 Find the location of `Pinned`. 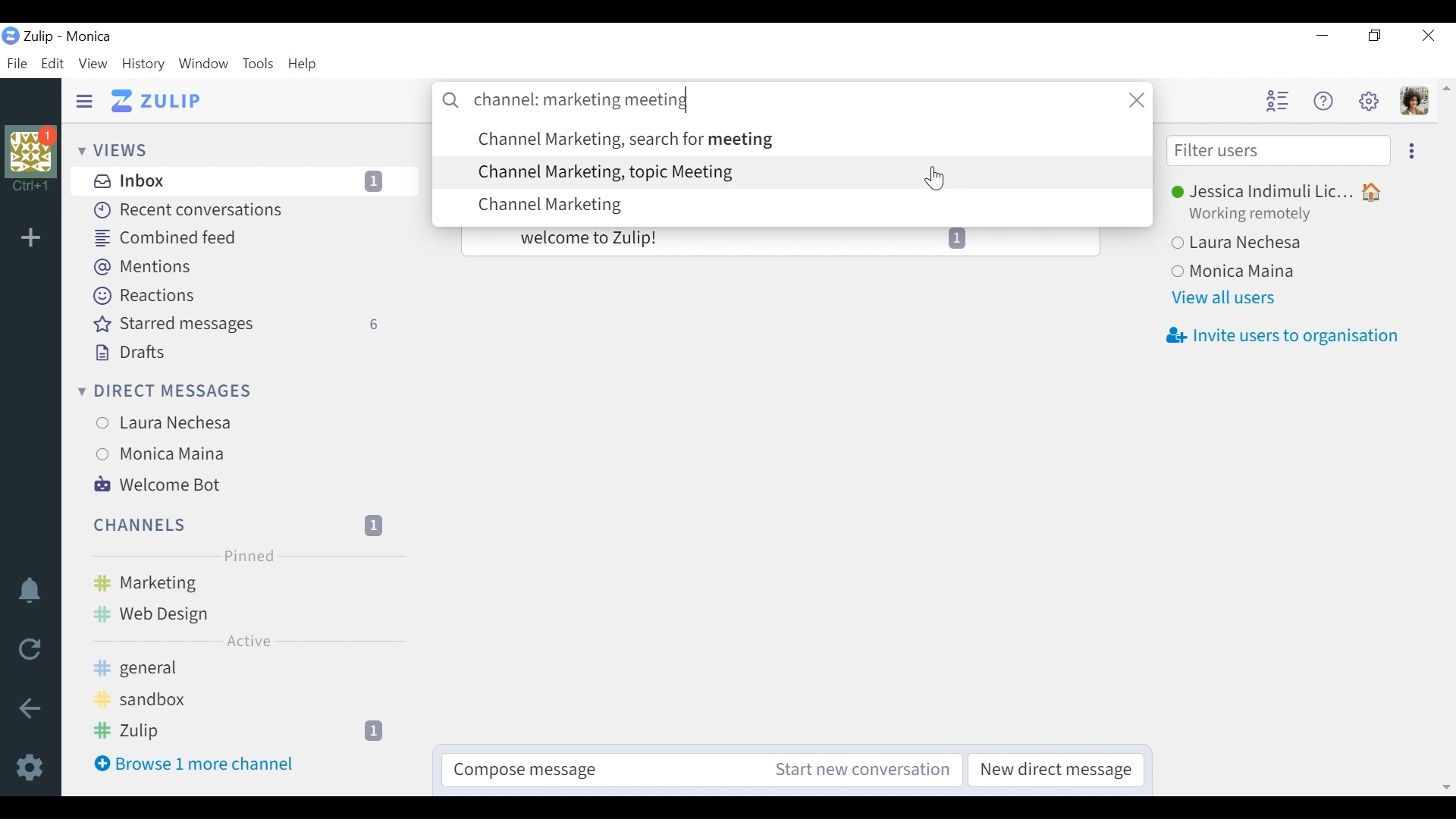

Pinned is located at coordinates (249, 556).